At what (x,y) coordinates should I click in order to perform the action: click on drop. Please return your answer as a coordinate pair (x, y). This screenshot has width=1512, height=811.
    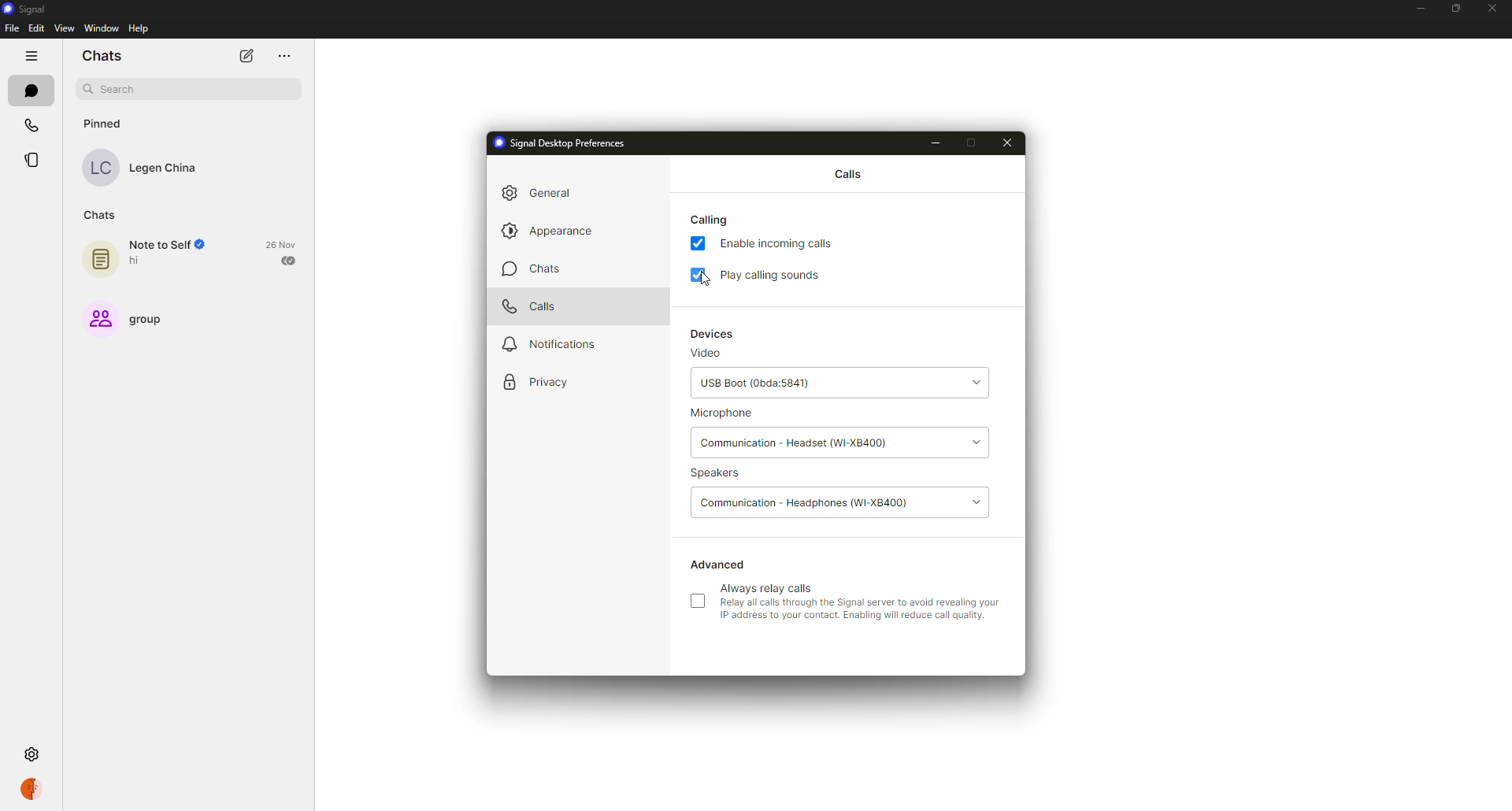
    Looking at the image, I should click on (974, 378).